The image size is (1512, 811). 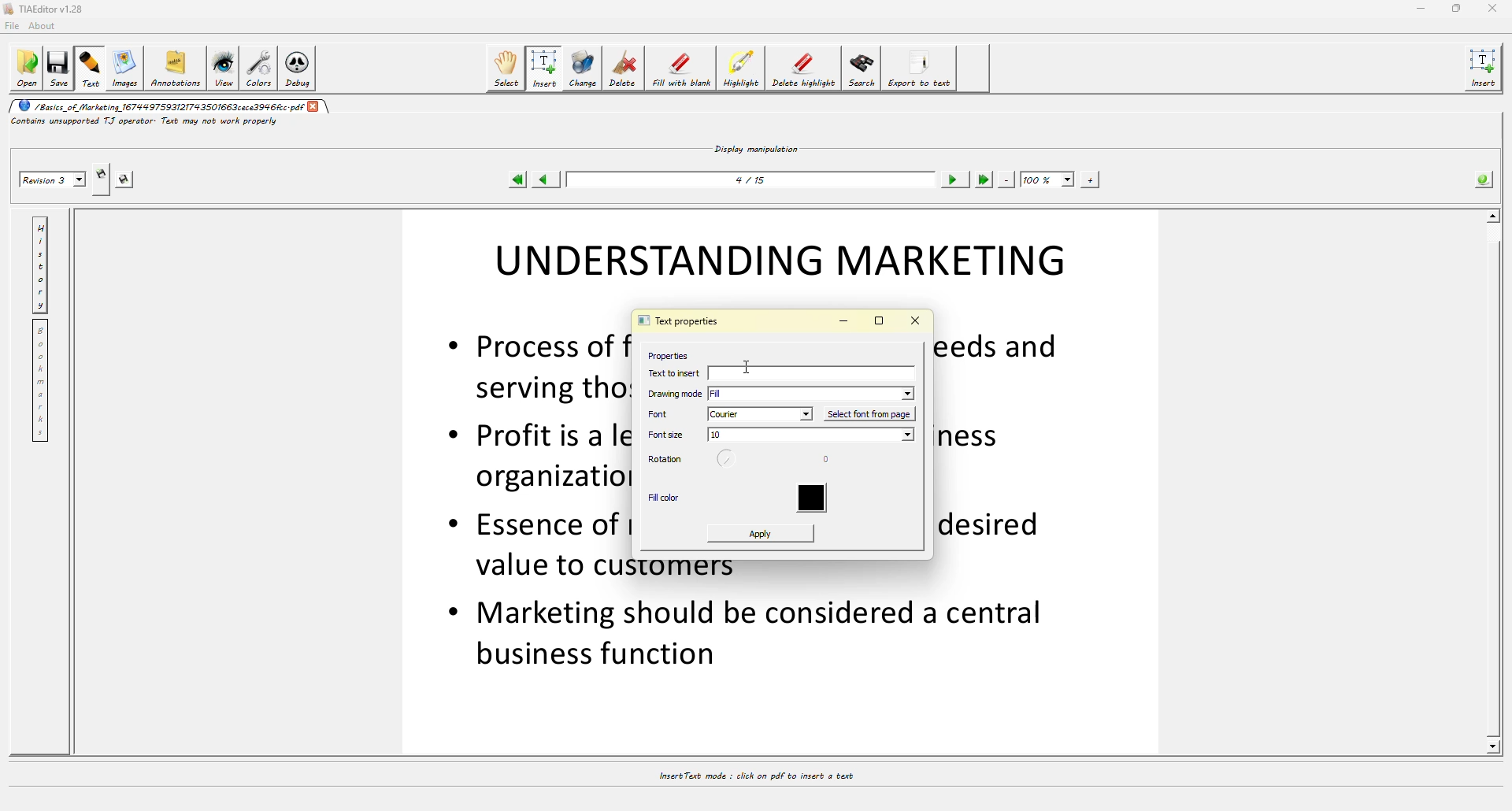 I want to click on TIAEditor v1.28, so click(x=49, y=9).